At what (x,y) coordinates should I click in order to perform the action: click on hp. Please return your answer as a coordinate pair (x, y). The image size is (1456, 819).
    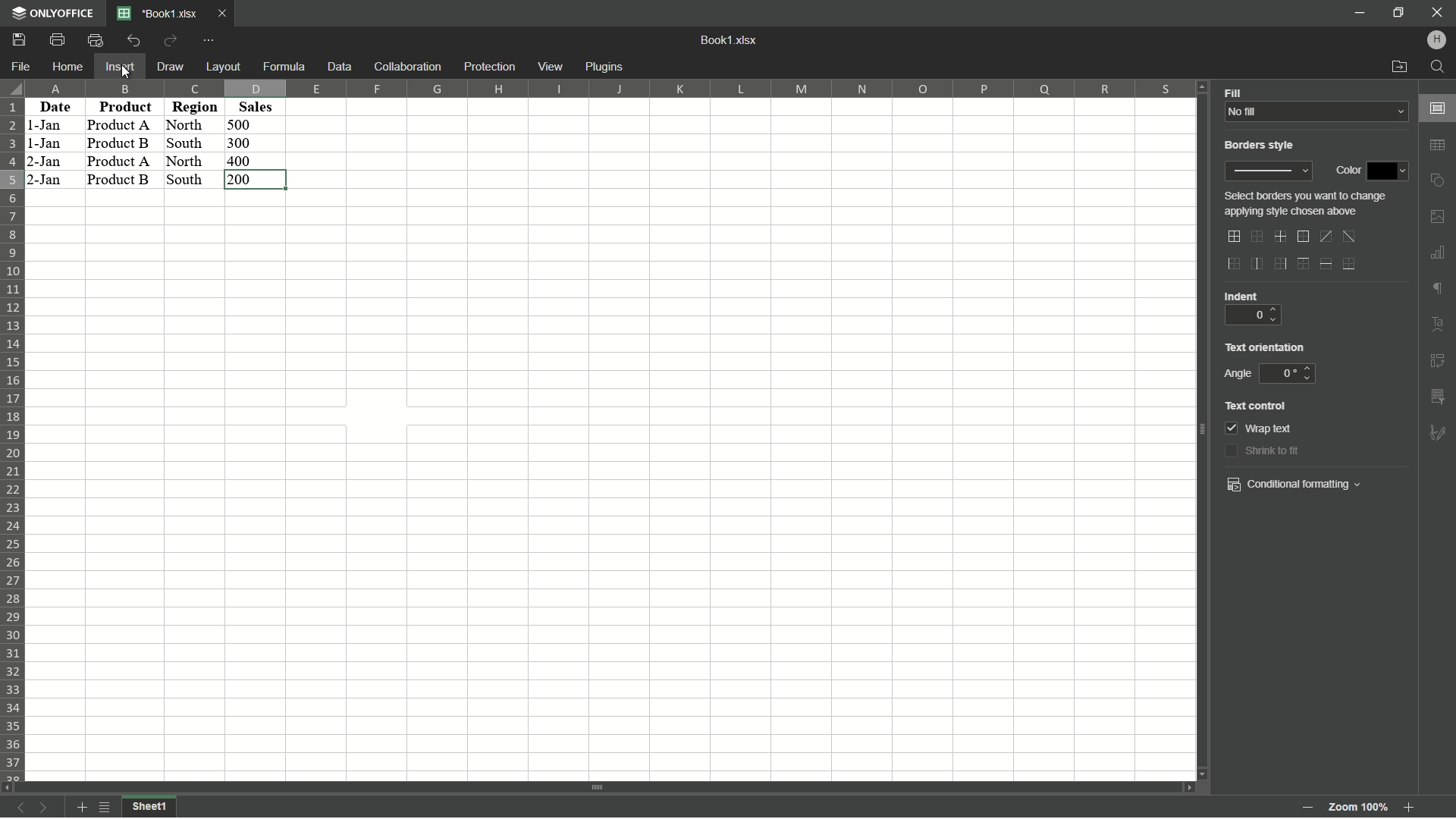
    Looking at the image, I should click on (1438, 39).